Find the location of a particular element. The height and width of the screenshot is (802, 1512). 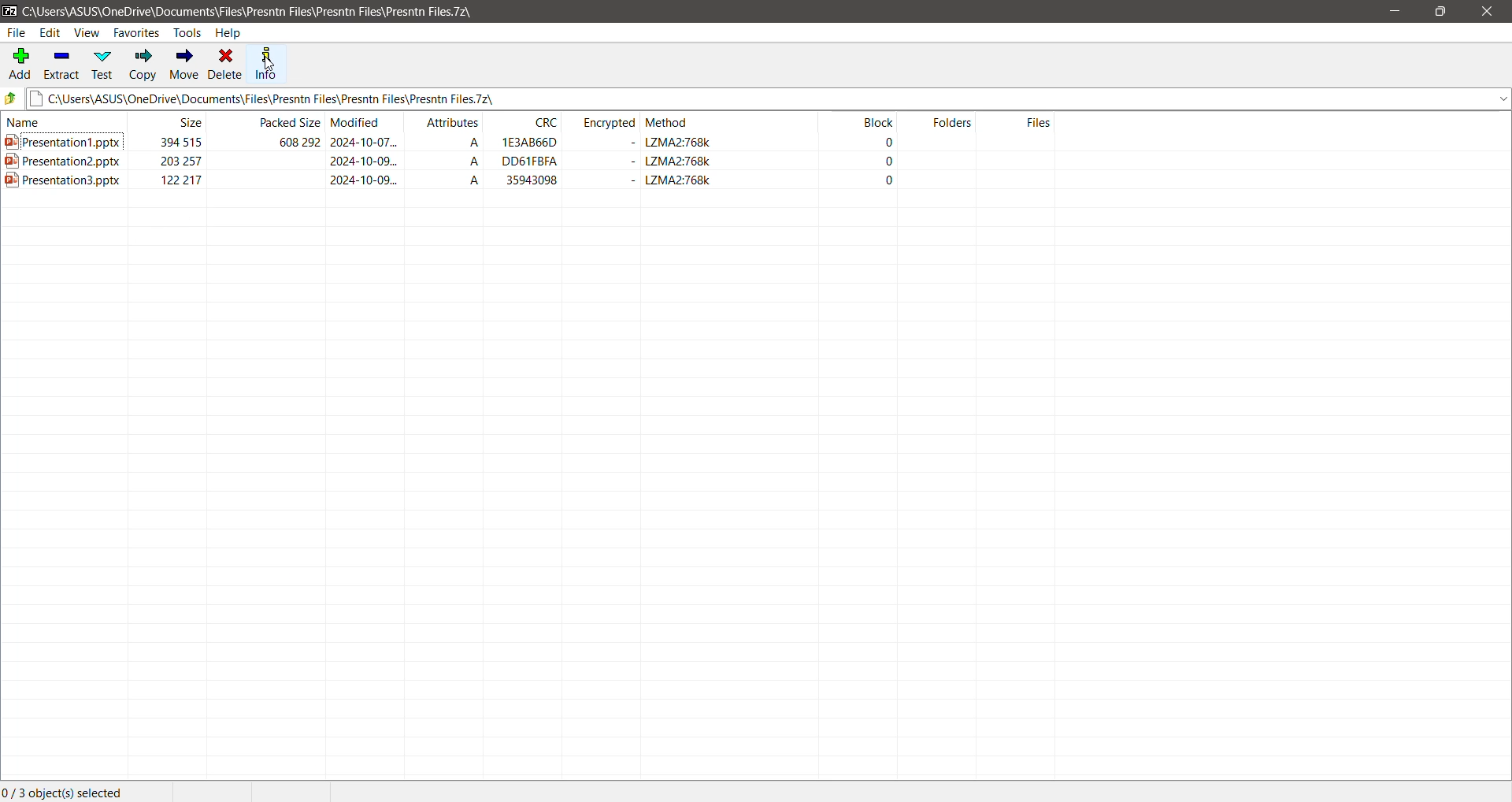

1e3ab660 is located at coordinates (533, 143).